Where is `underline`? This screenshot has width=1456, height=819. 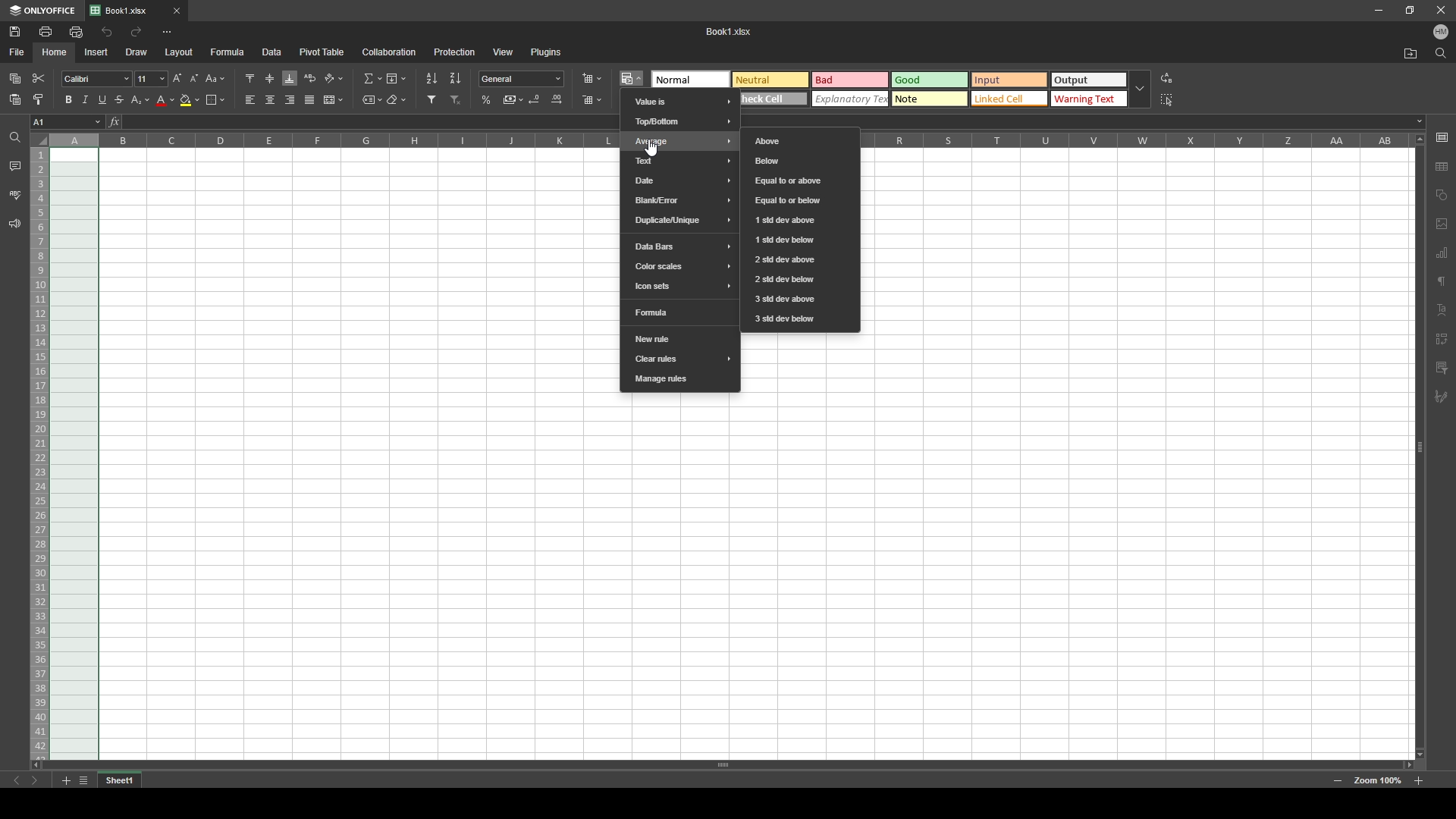 underline is located at coordinates (102, 100).